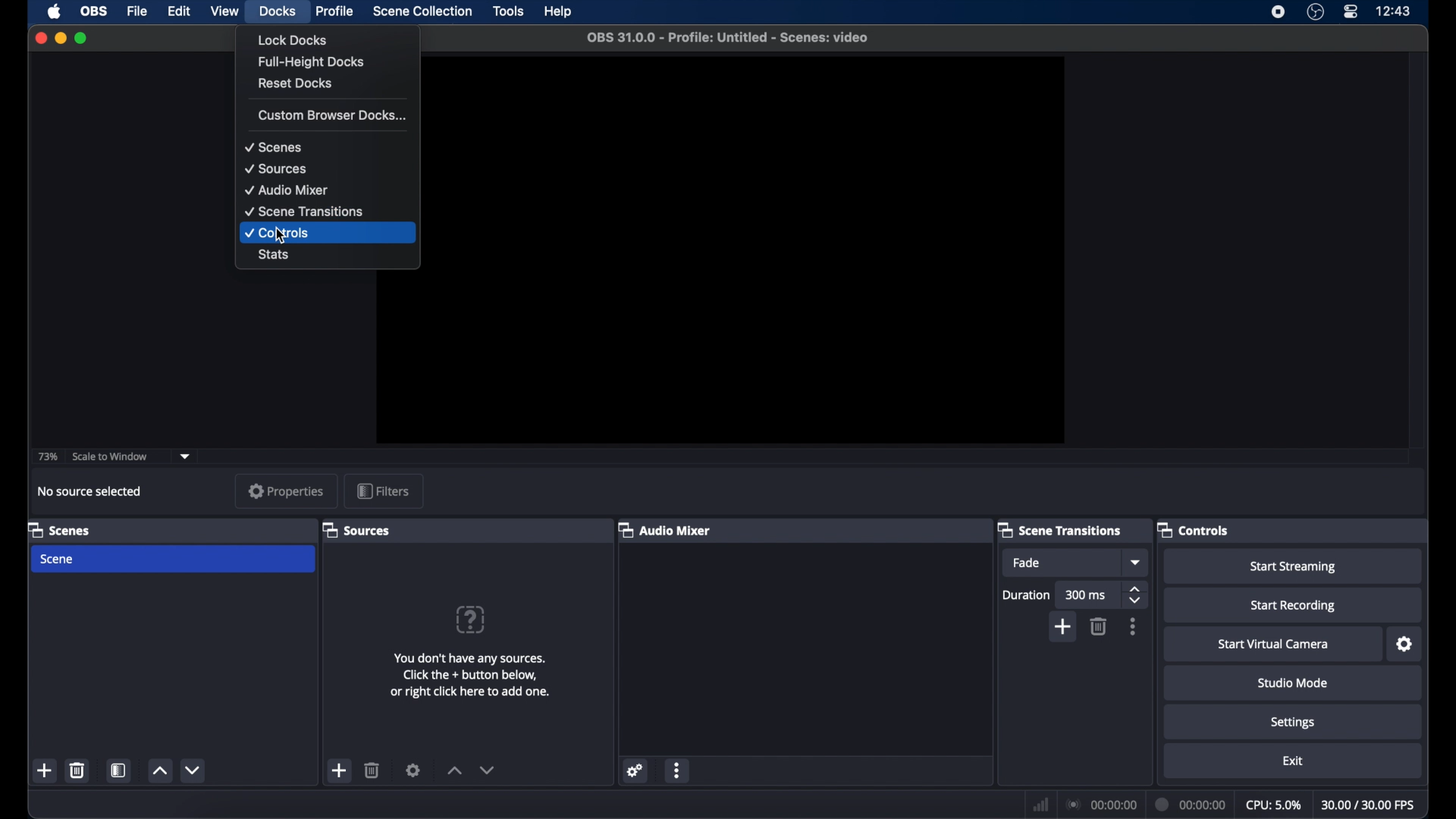  I want to click on decrement, so click(488, 770).